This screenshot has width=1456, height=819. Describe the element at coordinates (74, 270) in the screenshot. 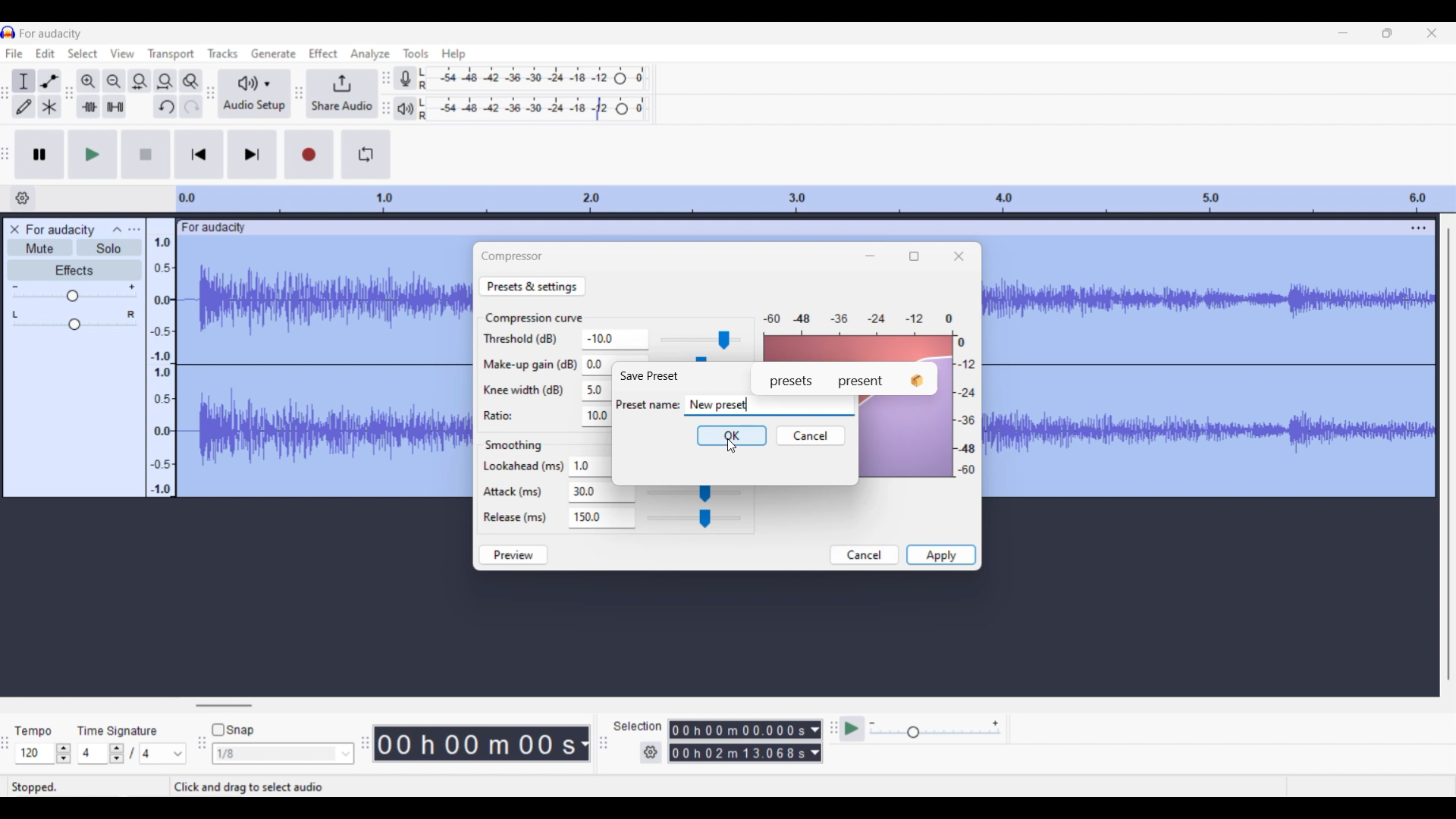

I see `Effects` at that location.